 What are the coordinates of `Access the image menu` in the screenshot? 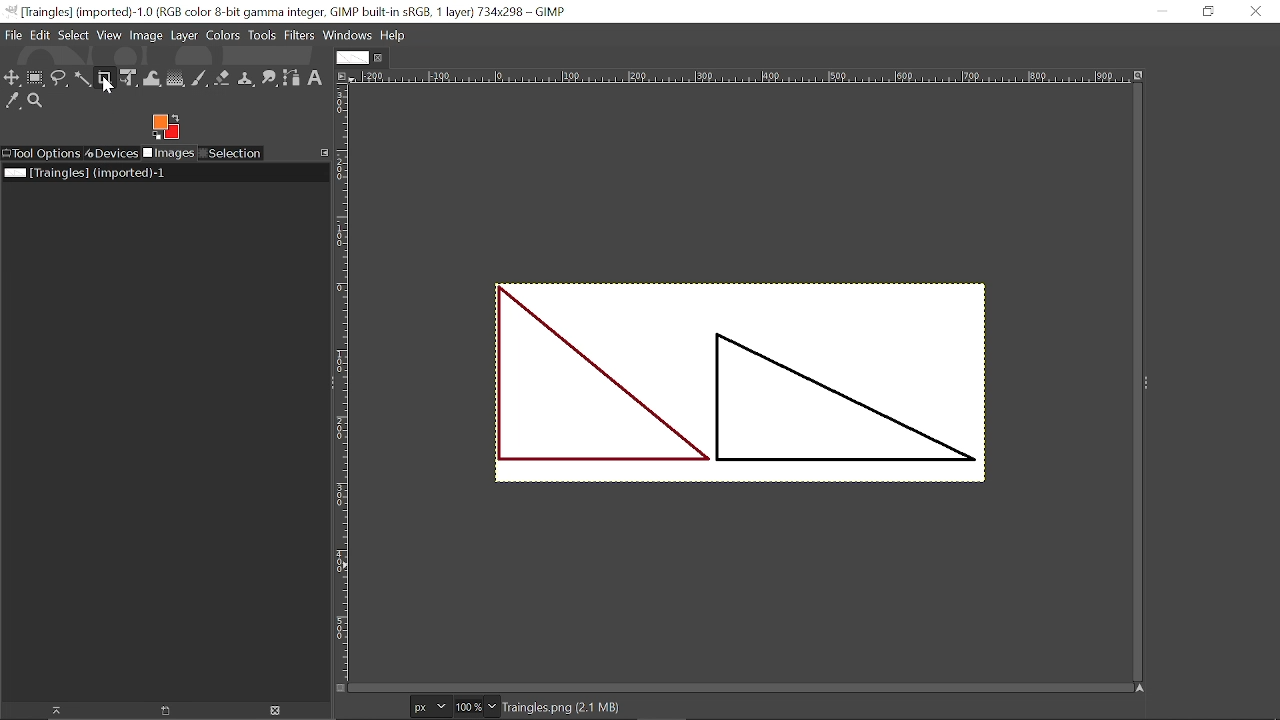 It's located at (343, 77).